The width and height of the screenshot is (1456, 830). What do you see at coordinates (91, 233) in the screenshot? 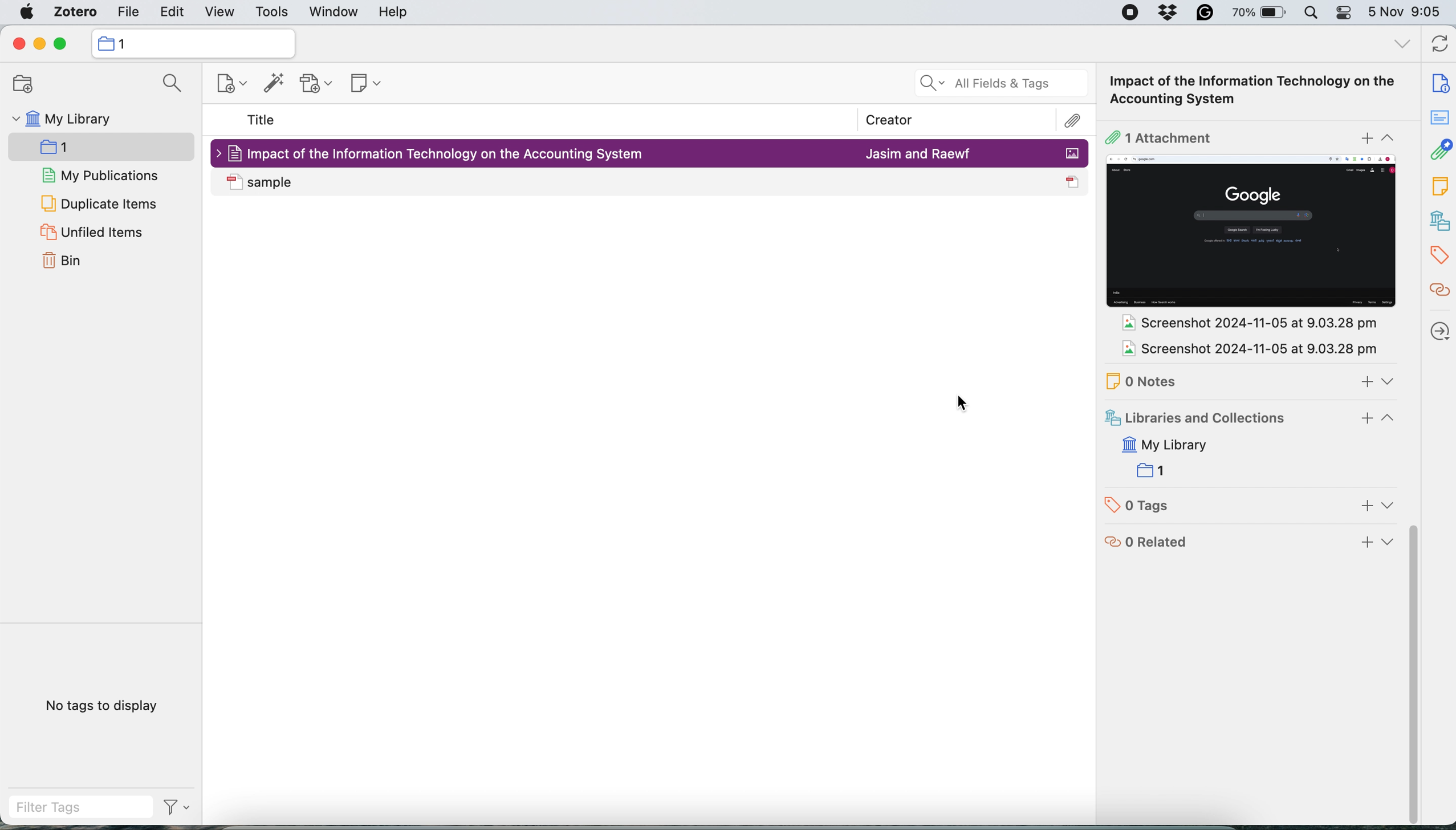
I see `unfiled items` at bounding box center [91, 233].